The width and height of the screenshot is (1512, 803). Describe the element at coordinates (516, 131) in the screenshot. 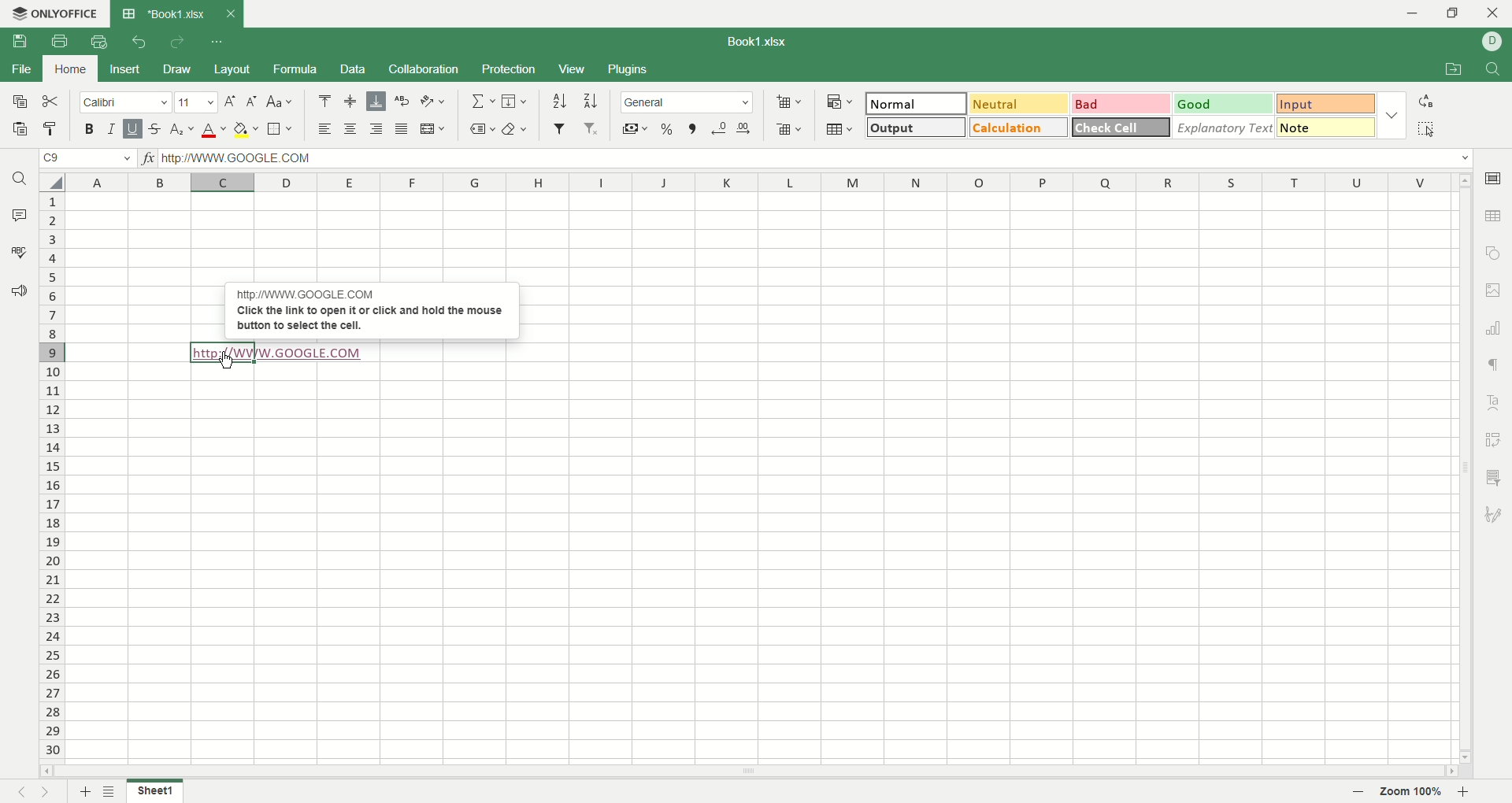

I see `clear` at that location.